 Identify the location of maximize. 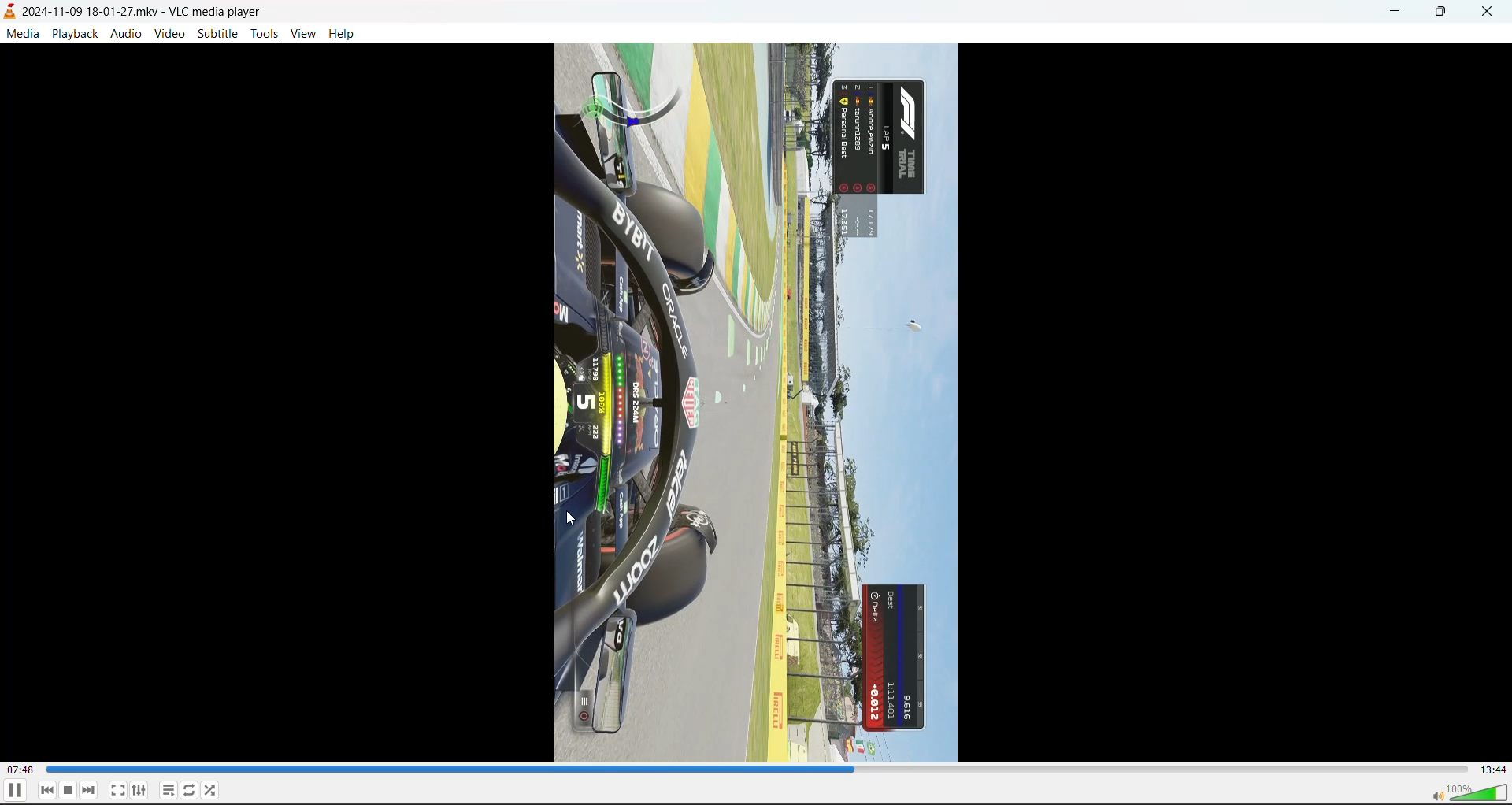
(1444, 14).